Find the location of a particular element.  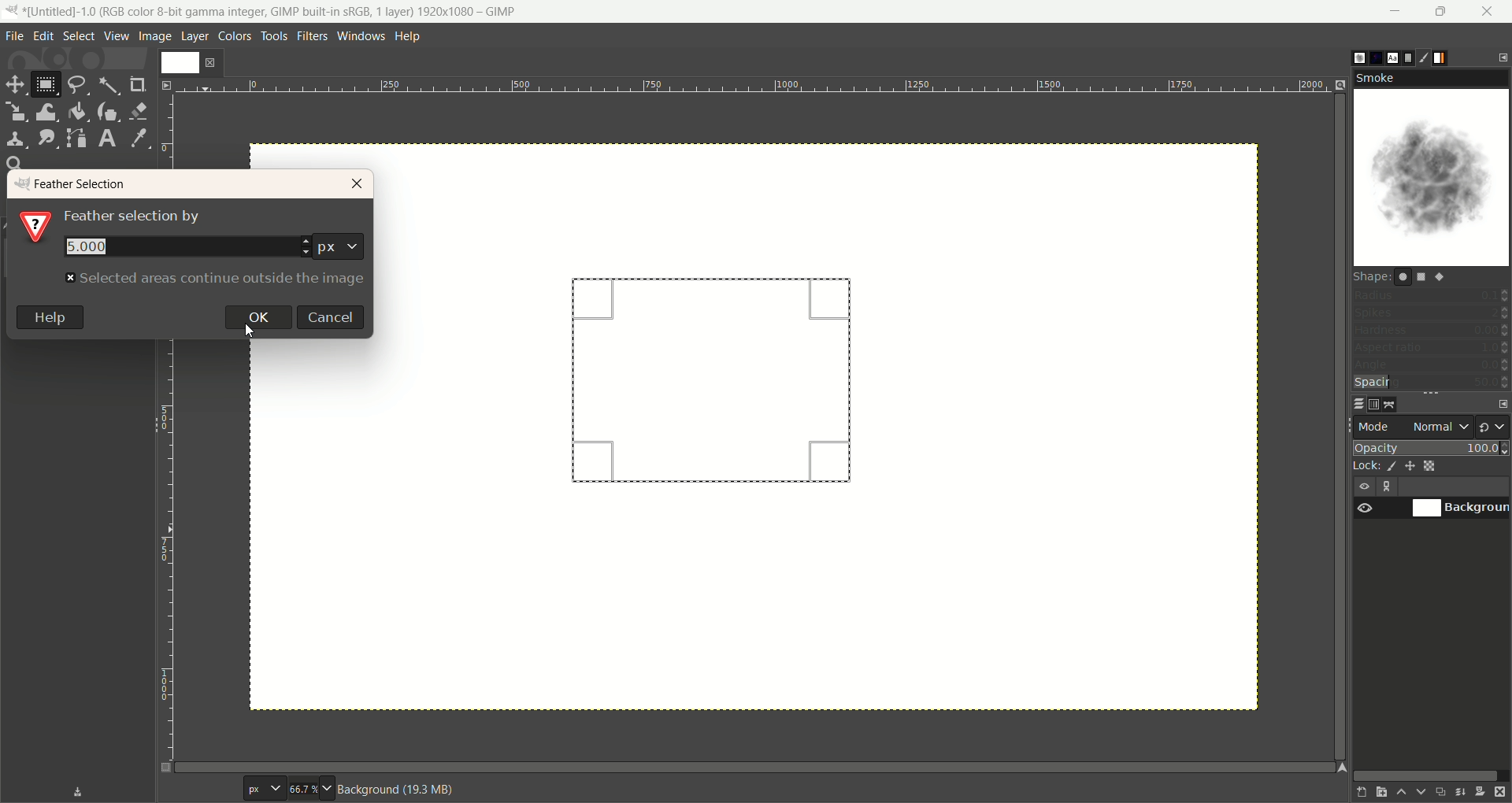

feather selection is located at coordinates (82, 187).